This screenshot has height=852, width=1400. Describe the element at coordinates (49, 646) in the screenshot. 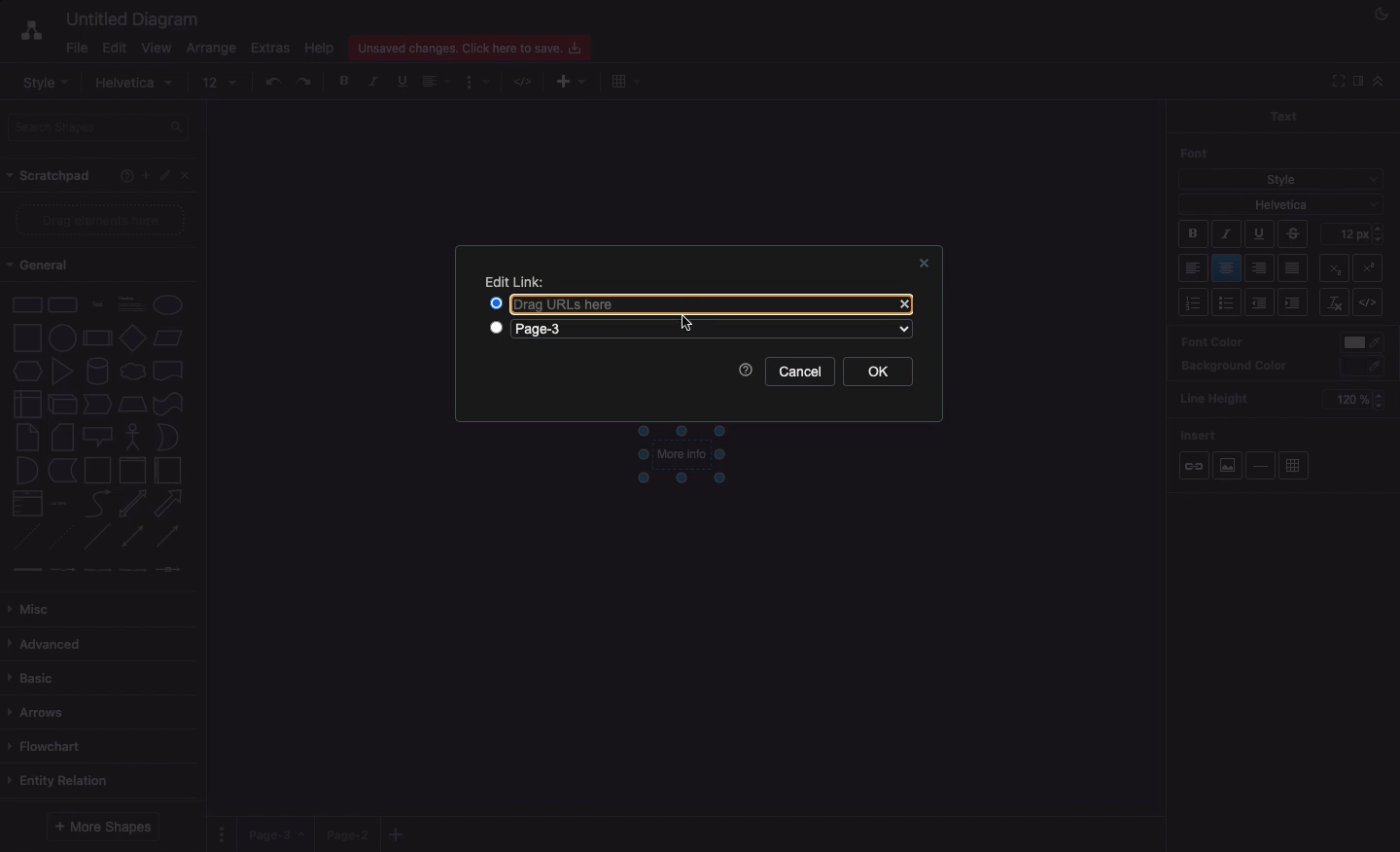

I see `Advanced` at that location.